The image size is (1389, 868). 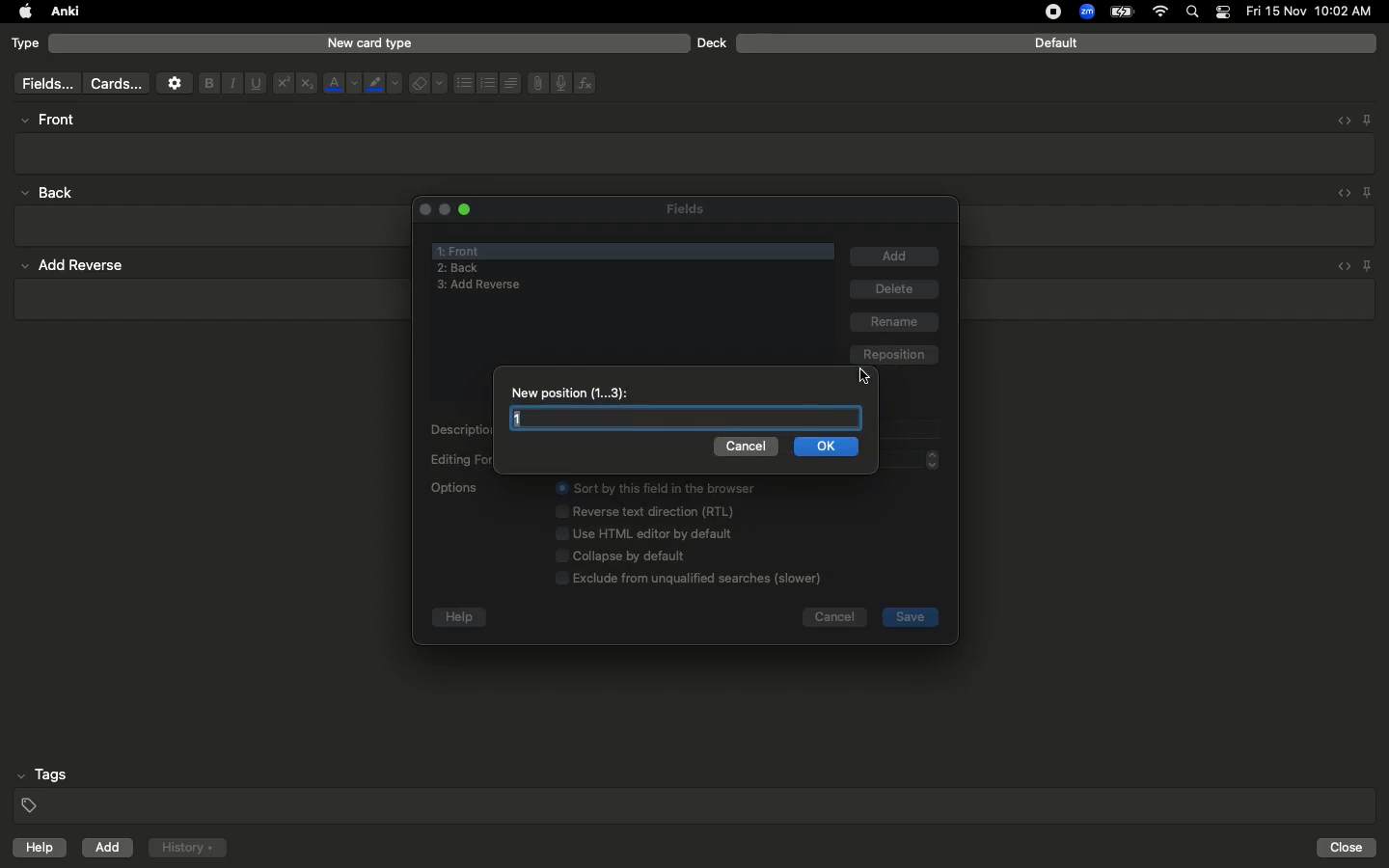 What do you see at coordinates (175, 83) in the screenshot?
I see `Settings` at bounding box center [175, 83].